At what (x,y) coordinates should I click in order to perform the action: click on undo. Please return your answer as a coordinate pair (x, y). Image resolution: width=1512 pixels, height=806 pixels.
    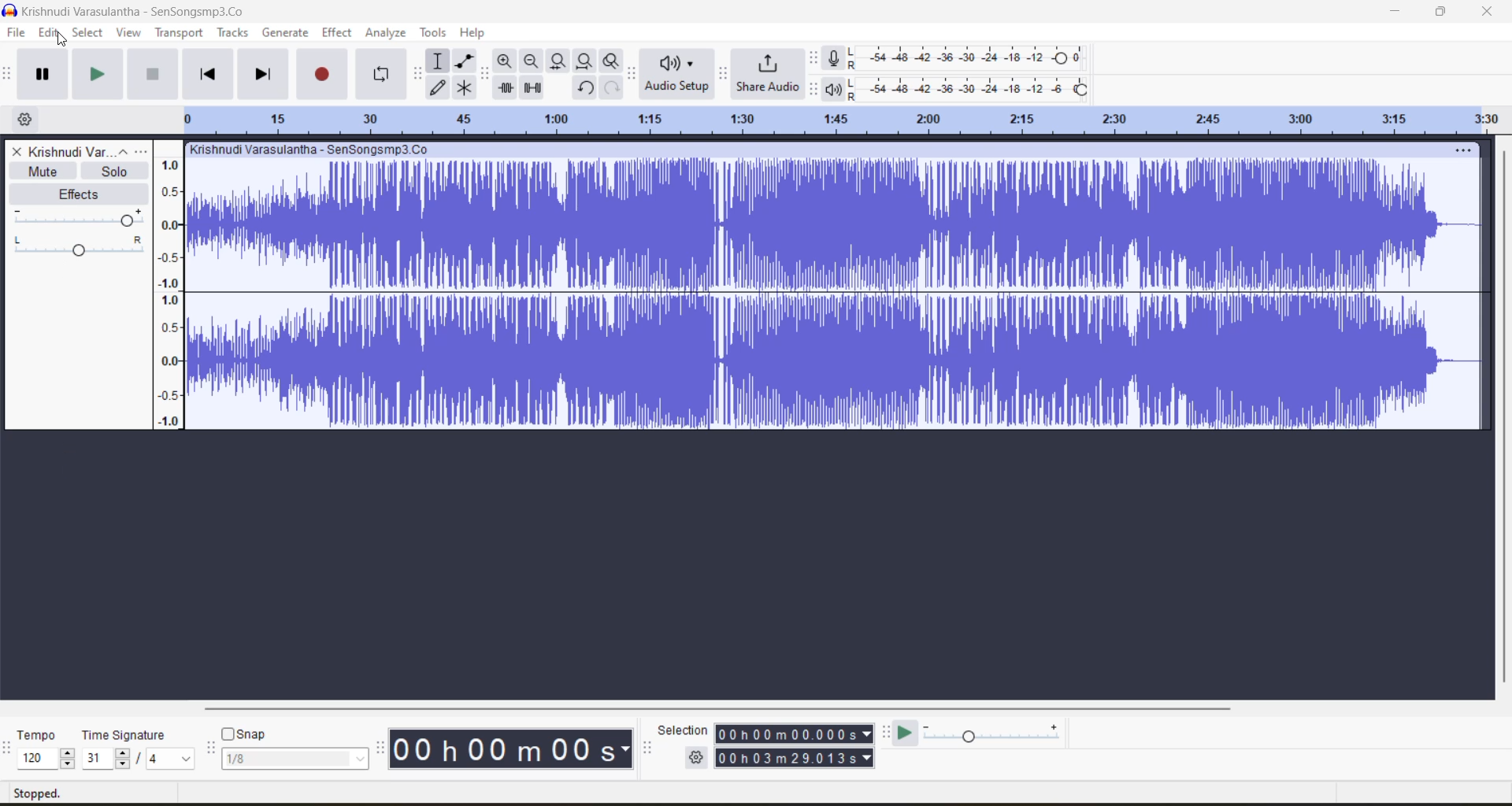
    Looking at the image, I should click on (585, 88).